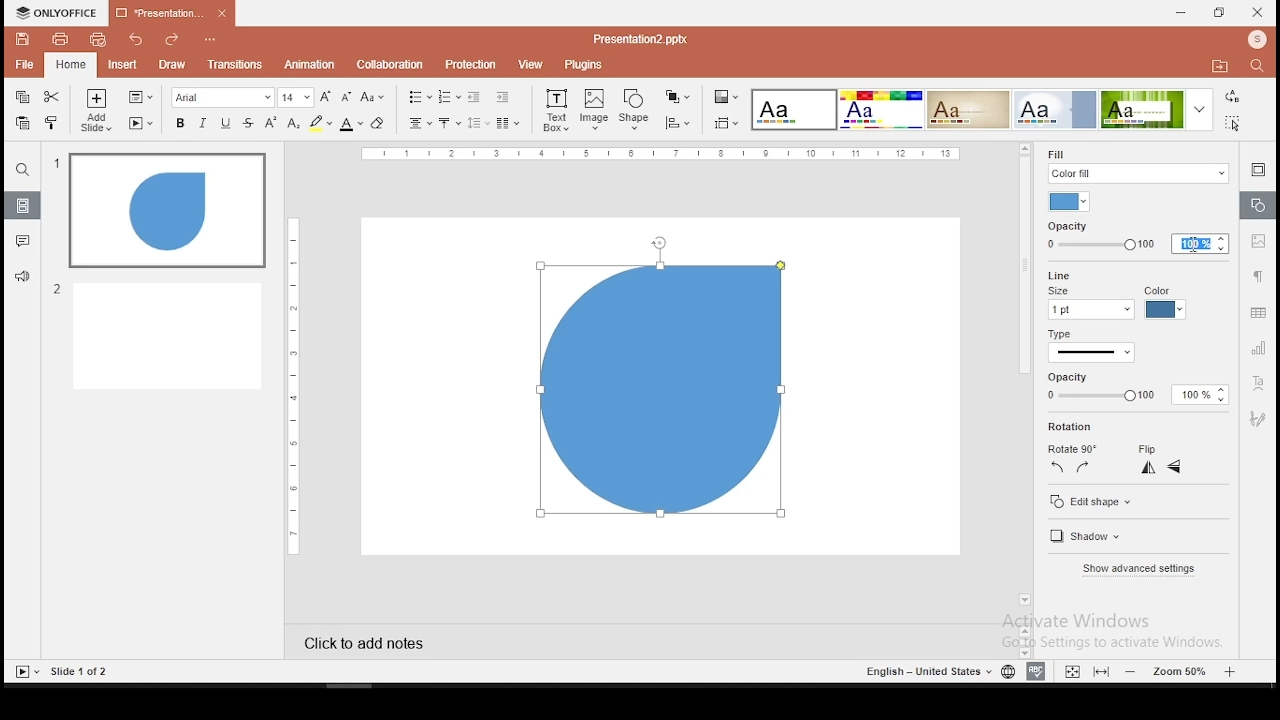 Image resolution: width=1280 pixels, height=720 pixels. What do you see at coordinates (134, 39) in the screenshot?
I see `undo` at bounding box center [134, 39].